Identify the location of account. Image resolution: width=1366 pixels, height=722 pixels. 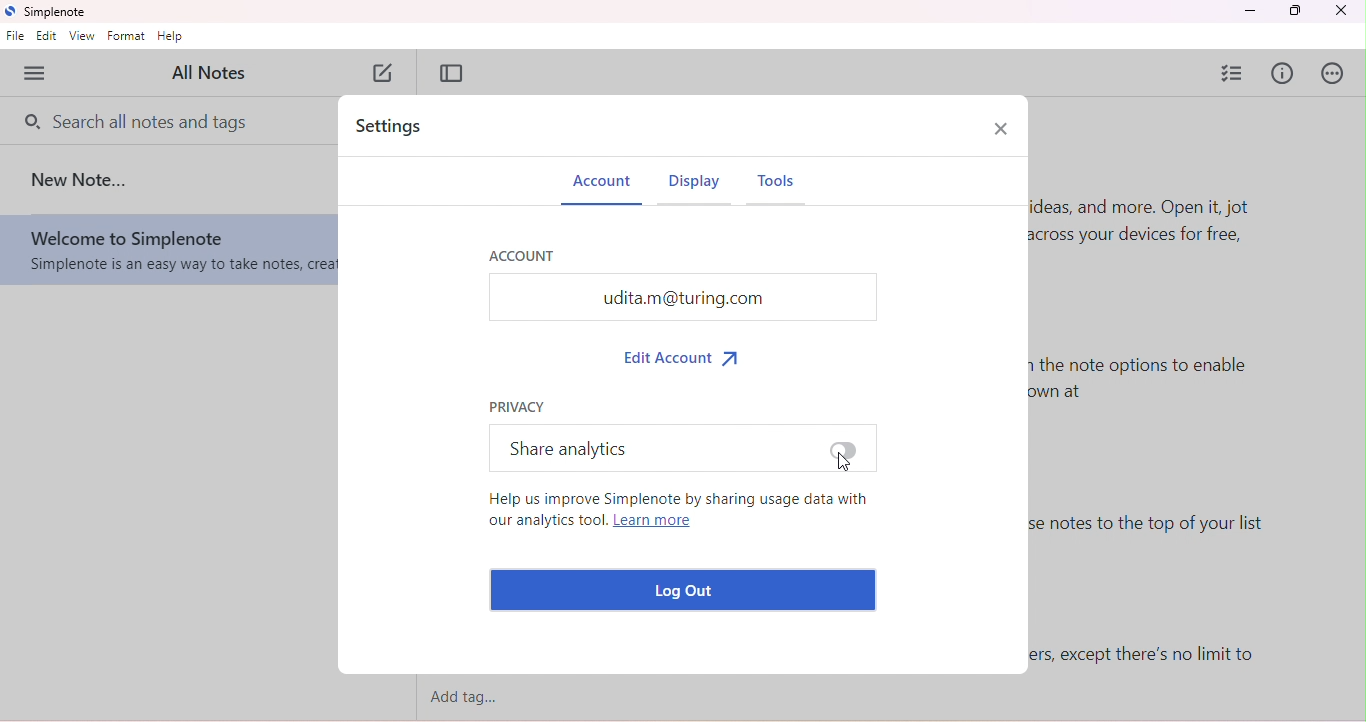
(523, 254).